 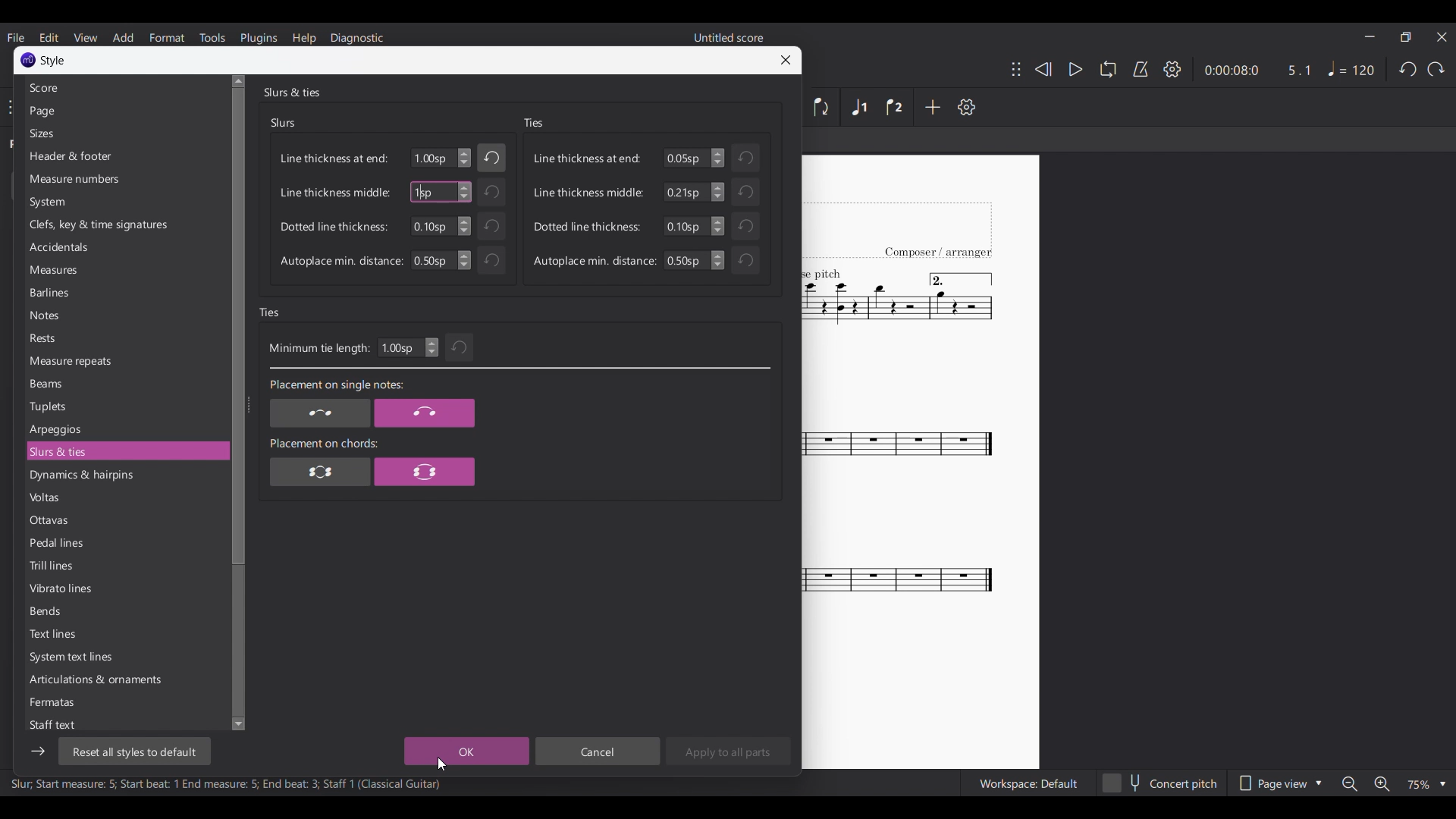 What do you see at coordinates (1016, 69) in the screenshot?
I see `Change position` at bounding box center [1016, 69].